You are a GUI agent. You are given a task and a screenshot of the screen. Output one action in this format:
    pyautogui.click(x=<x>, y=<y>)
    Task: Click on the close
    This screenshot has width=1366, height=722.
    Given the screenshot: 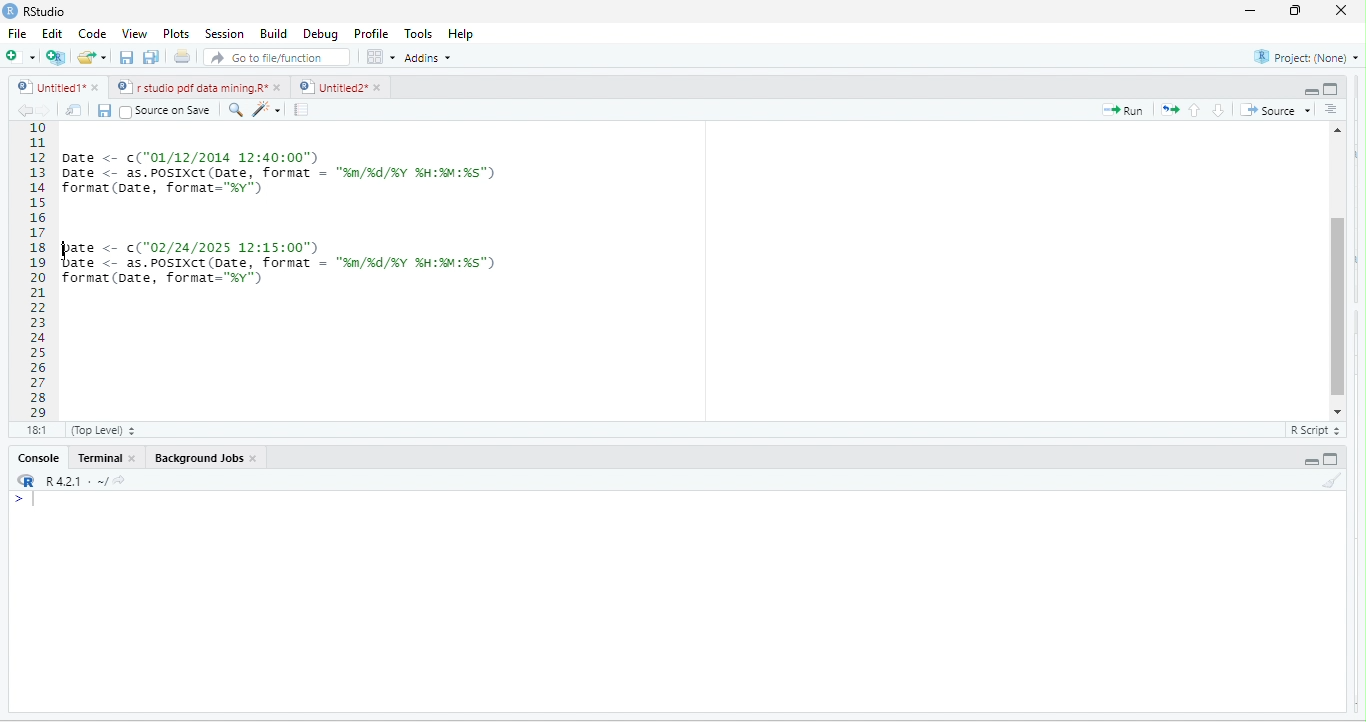 What is the action you would take?
    pyautogui.click(x=380, y=88)
    